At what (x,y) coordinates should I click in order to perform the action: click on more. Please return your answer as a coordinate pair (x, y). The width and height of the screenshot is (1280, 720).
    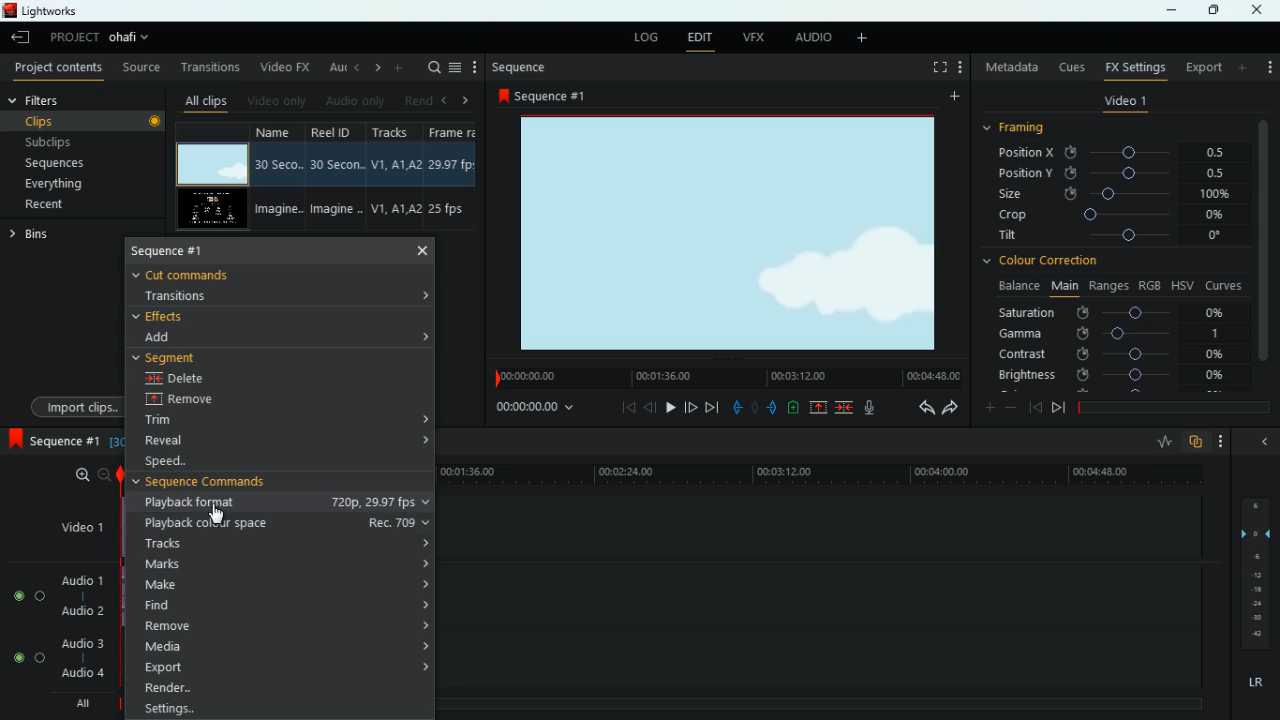
    Looking at the image, I should click on (1222, 442).